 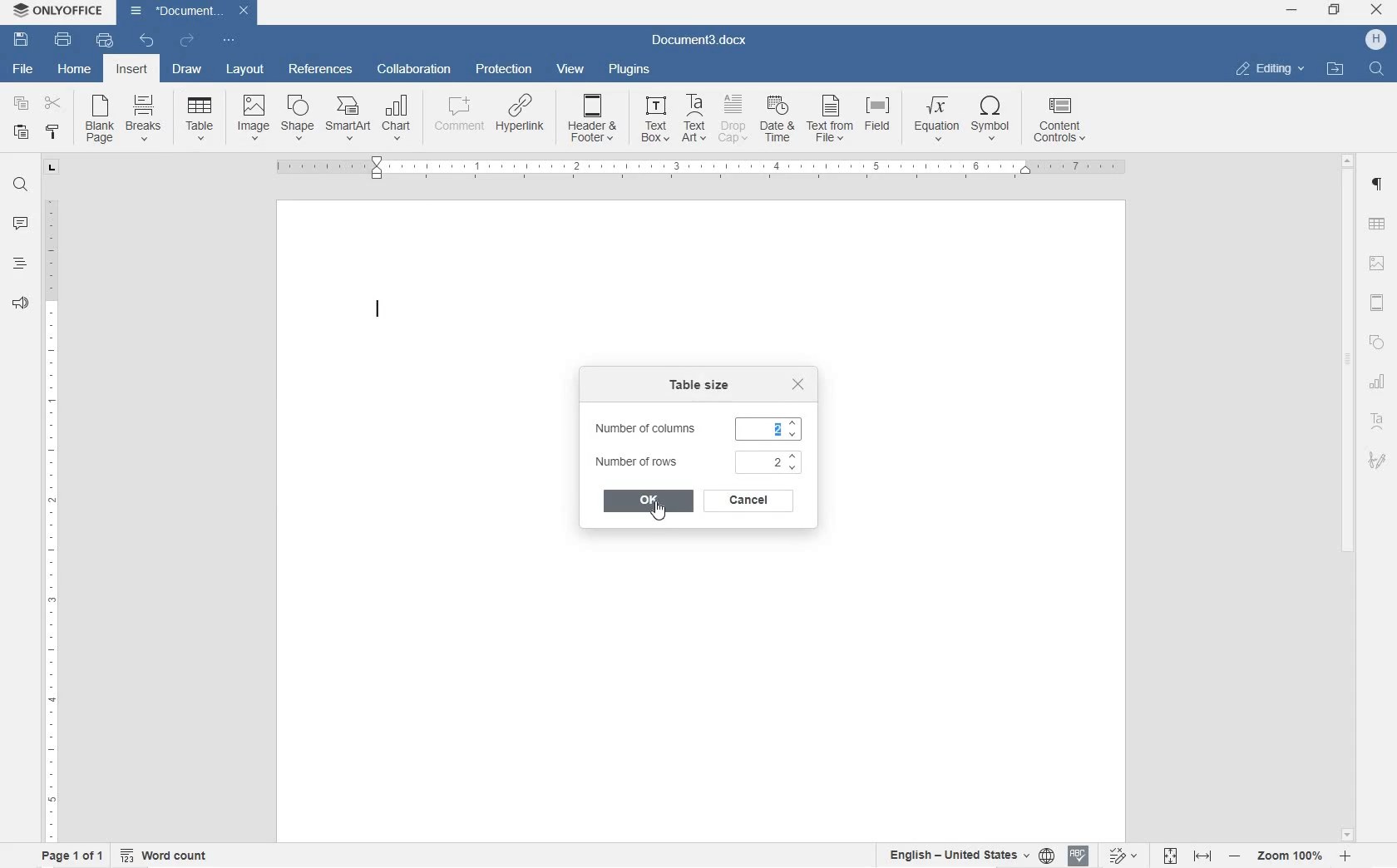 I want to click on HEADINGS, so click(x=17, y=267).